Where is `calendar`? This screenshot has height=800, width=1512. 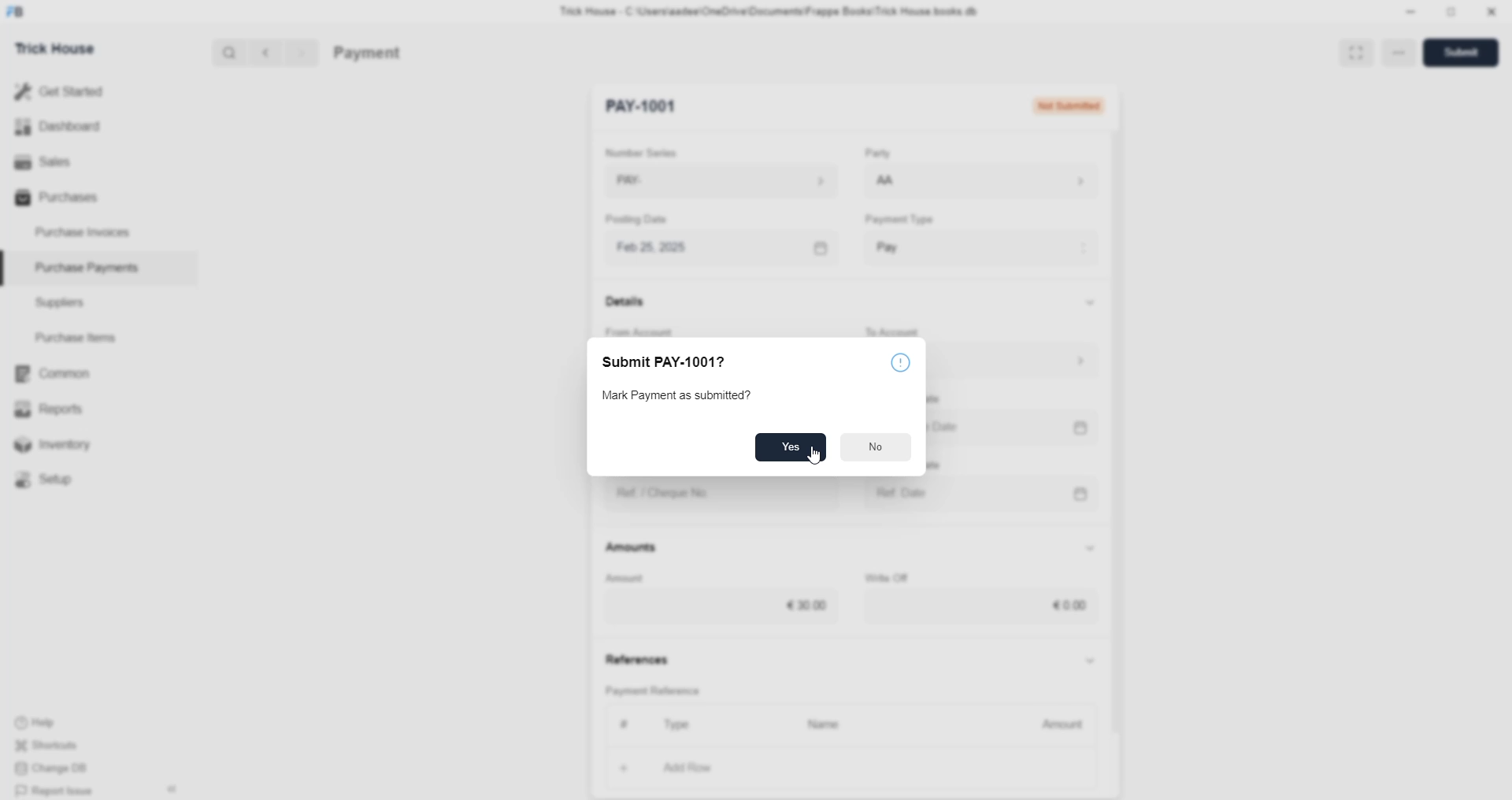 calendar is located at coordinates (1091, 429).